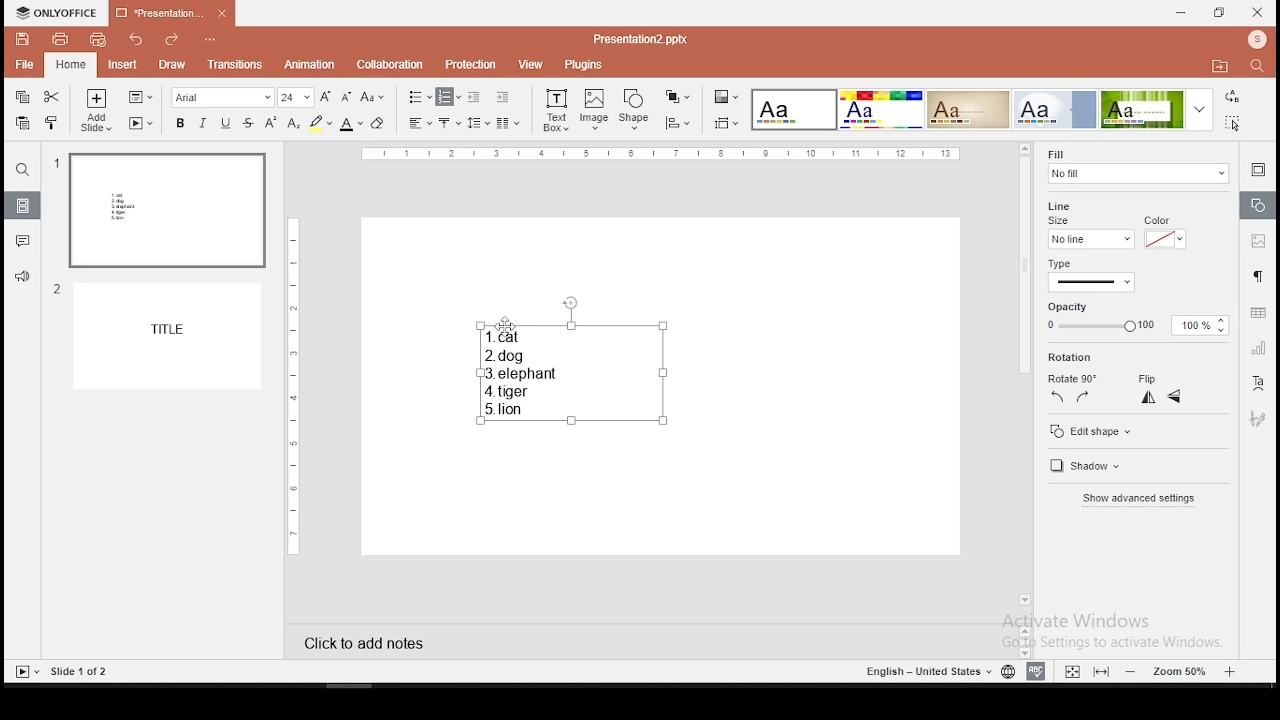 This screenshot has height=720, width=1280. Describe the element at coordinates (795, 110) in the screenshot. I see `theme` at that location.